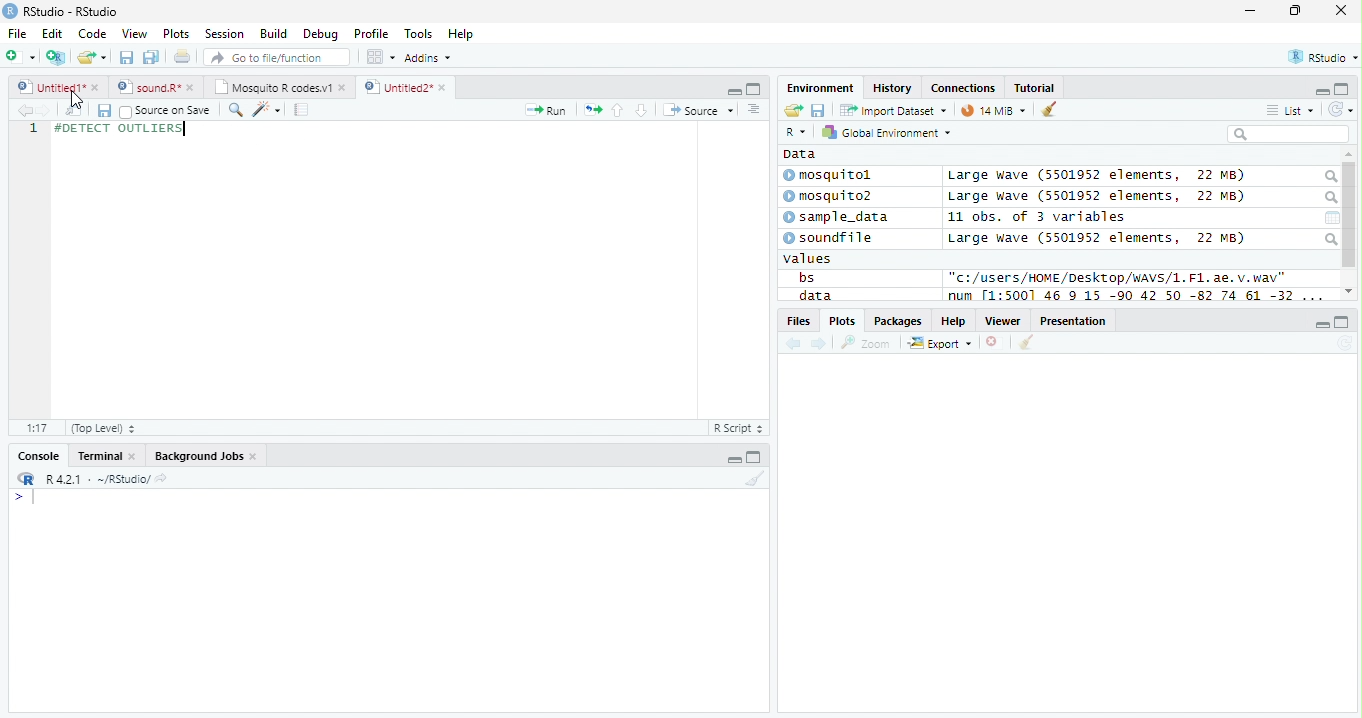  What do you see at coordinates (893, 111) in the screenshot?
I see `Import Dataset` at bounding box center [893, 111].